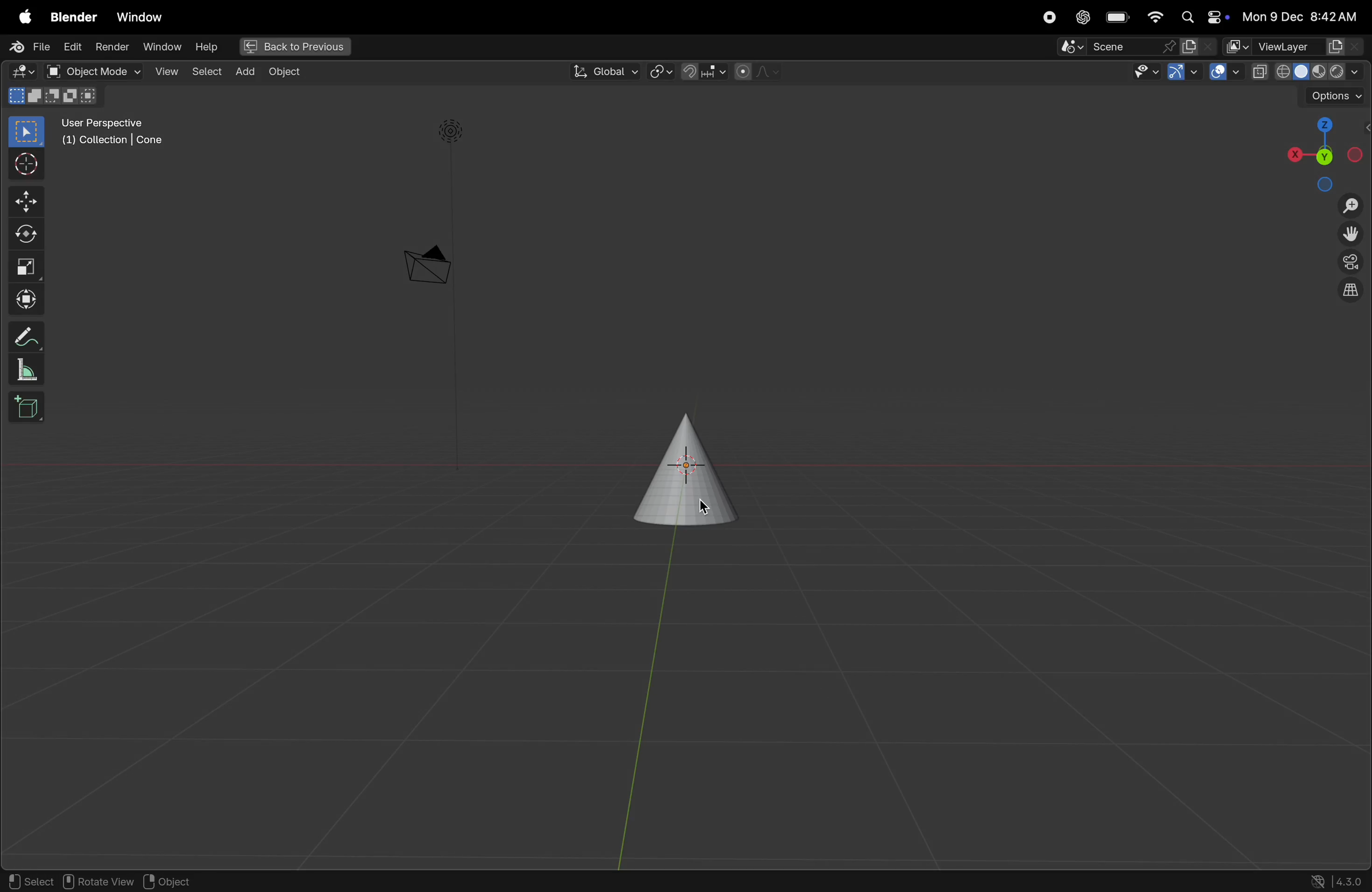 This screenshot has width=1372, height=892. I want to click on annotate, so click(22, 336).